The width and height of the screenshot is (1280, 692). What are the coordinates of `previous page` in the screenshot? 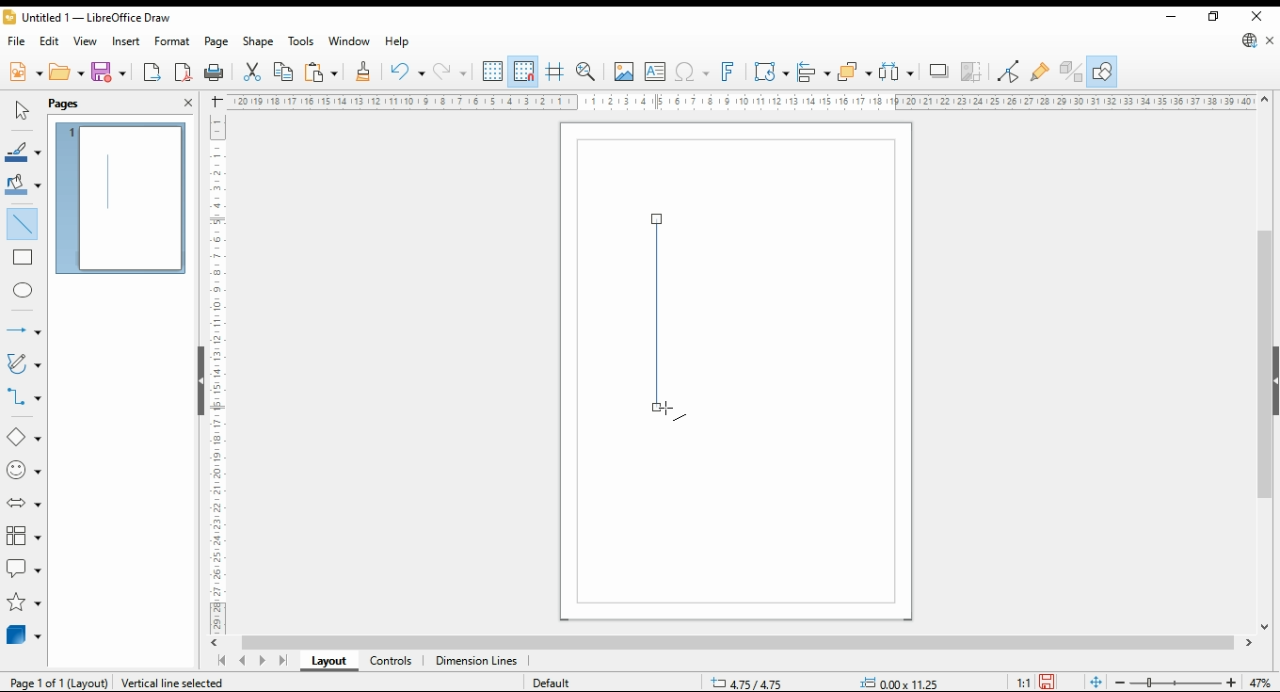 It's located at (242, 662).